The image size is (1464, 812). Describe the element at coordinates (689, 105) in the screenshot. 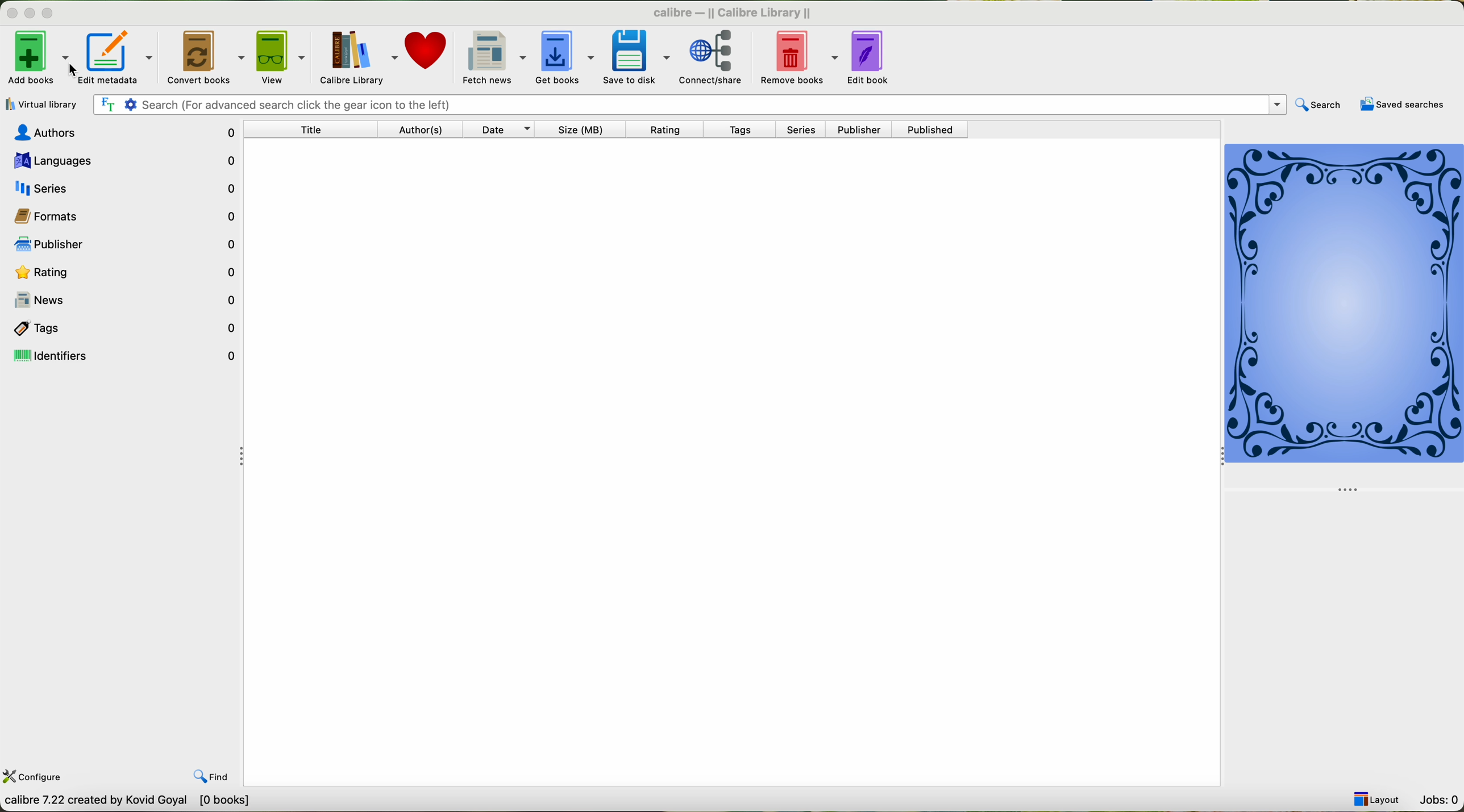

I see `search bar` at that location.